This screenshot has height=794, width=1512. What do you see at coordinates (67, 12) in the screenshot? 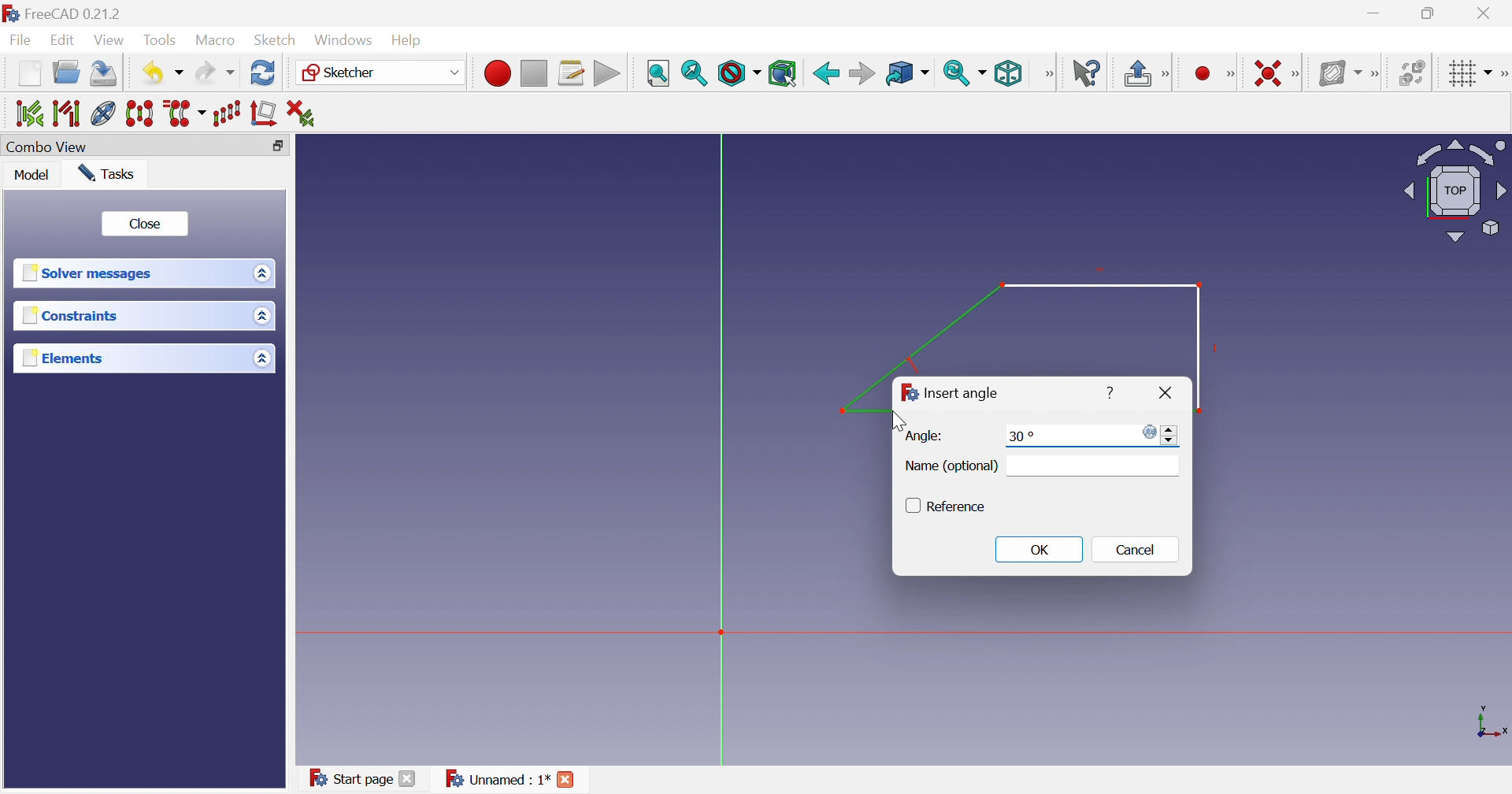
I see `FreeCAD 0.21.2` at bounding box center [67, 12].